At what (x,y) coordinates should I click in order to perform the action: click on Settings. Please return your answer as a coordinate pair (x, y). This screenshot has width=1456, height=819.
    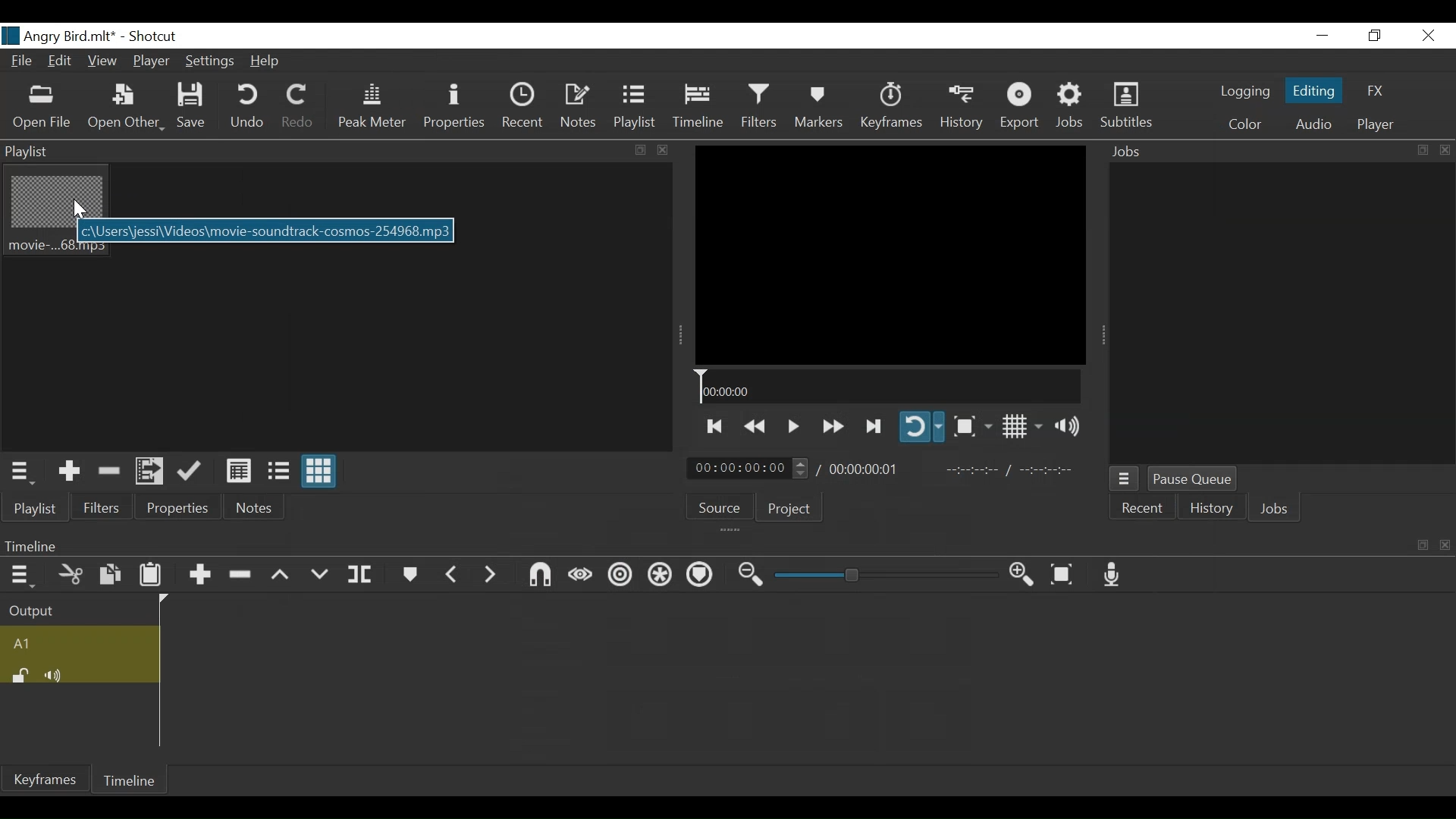
    Looking at the image, I should click on (208, 61).